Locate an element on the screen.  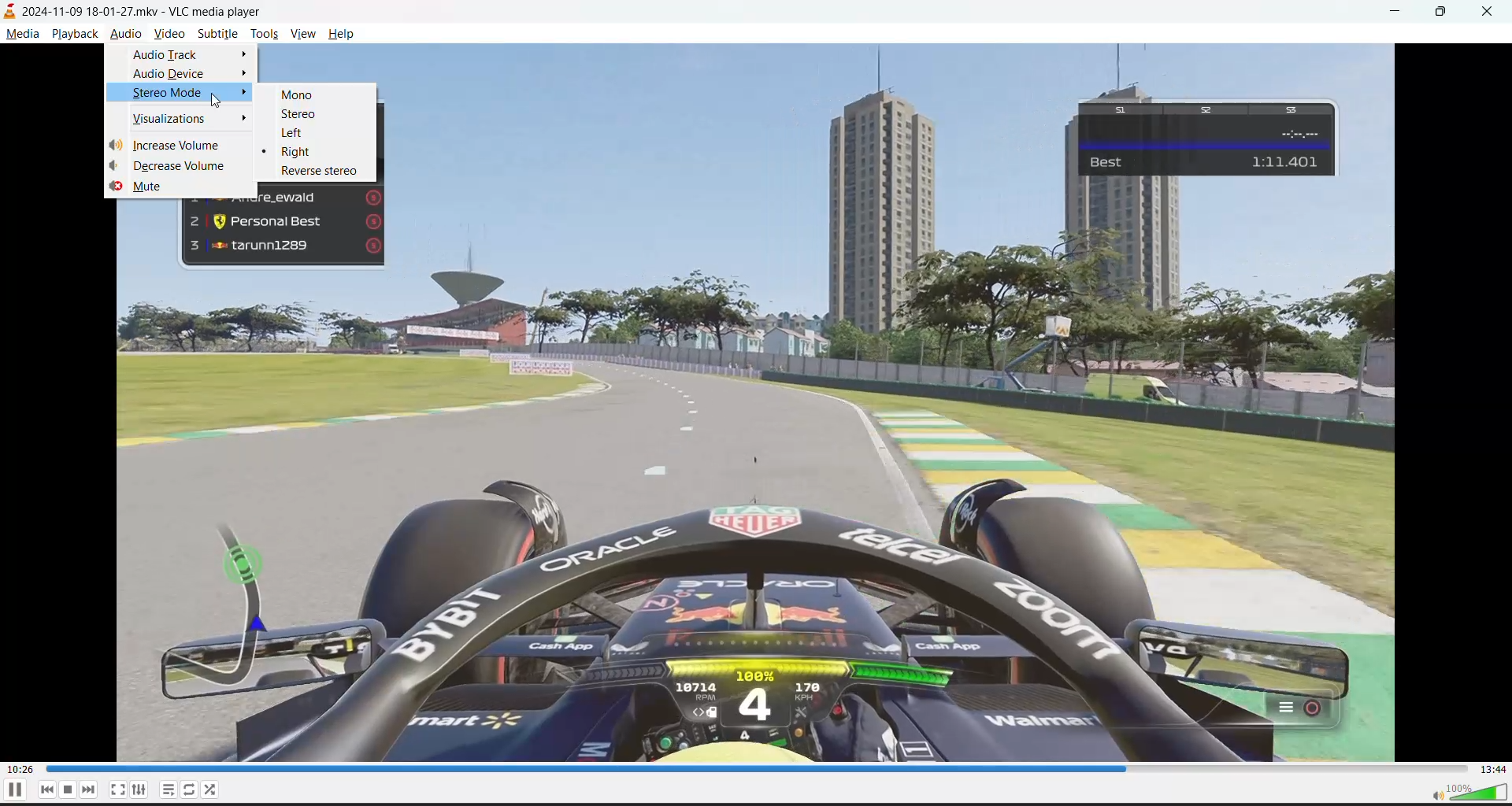
minimize is located at coordinates (1401, 12).